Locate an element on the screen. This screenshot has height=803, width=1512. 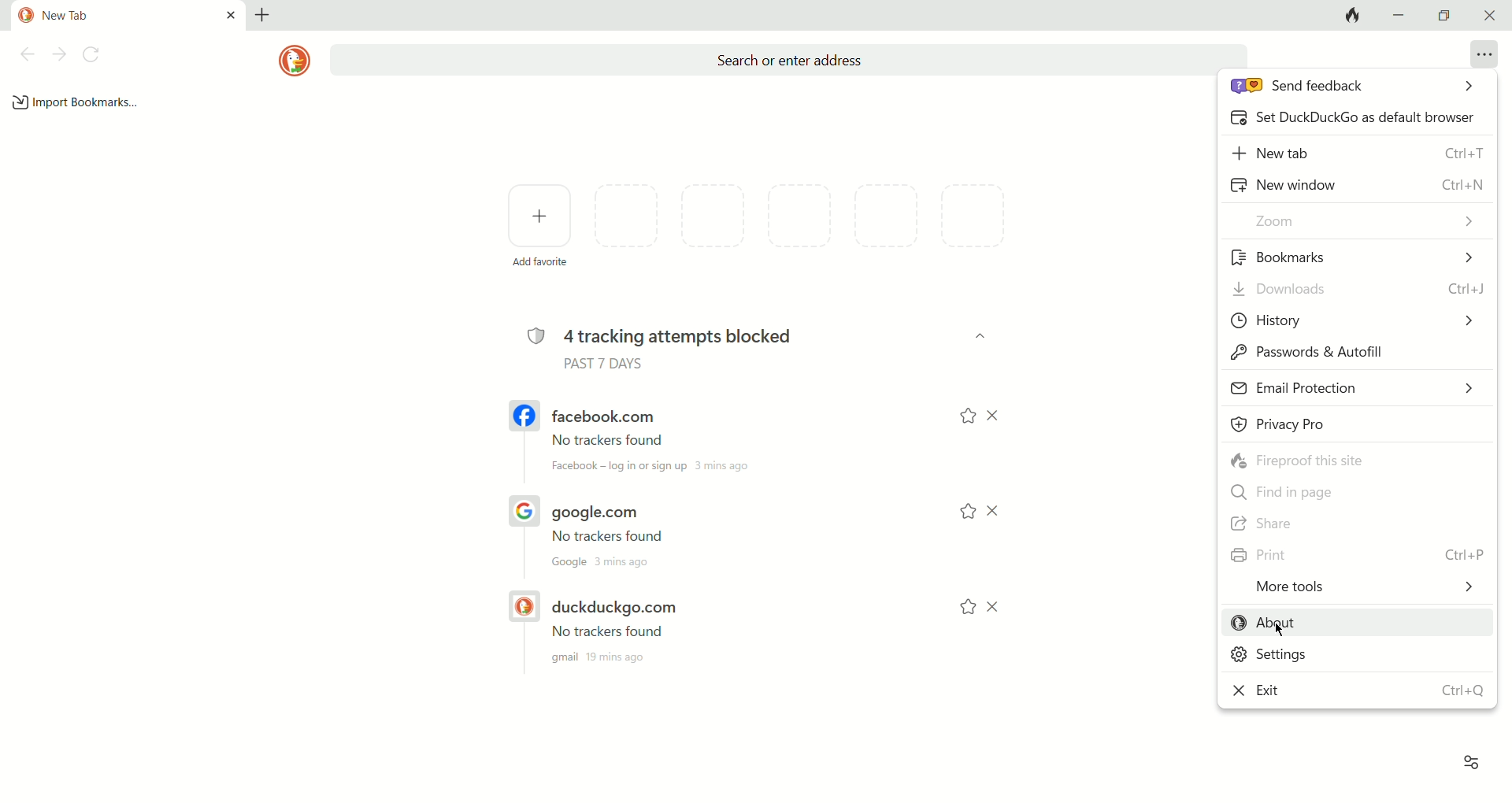
find in page is located at coordinates (1355, 489).